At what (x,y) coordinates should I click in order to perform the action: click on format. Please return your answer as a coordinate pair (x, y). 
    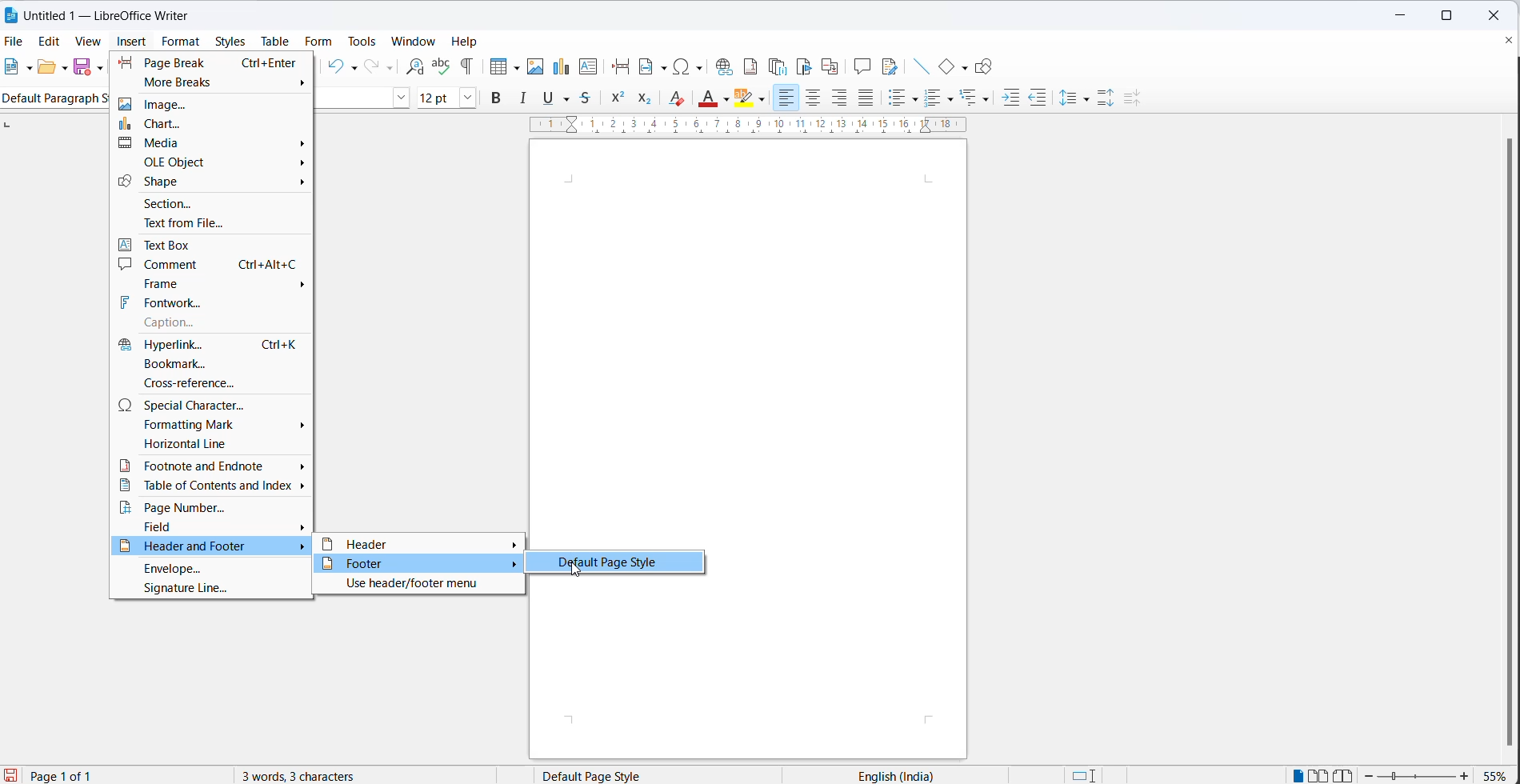
    Looking at the image, I should click on (180, 41).